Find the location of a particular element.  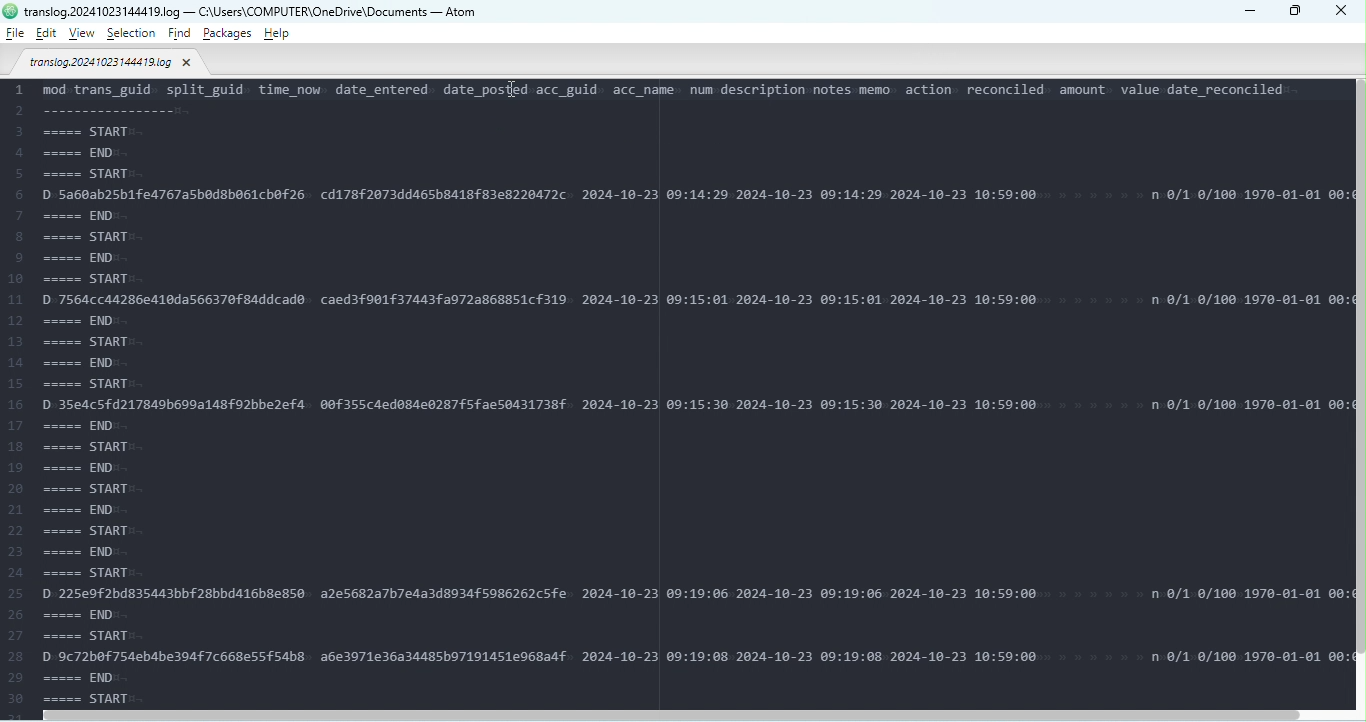

File content - The code appears to be related to data entries or logs, possibly from a database or system process. It includes elements like:  START/END: Markers indicating the beginning and end of a data record. GUIDs (Globally Unique Identifiers): Long strings of characters that uniquely identify each record. Timestamps: Dates and times associated with the records, such as 2024-10-23 09:14:29. Counters/Indexes: Values like "n 0/1 100" or "0/1 100", which might indicate record numbers or positions. Date Codes: Such as 1970-01-01 00, which might represent default or initial dates.  is located at coordinates (677, 391).